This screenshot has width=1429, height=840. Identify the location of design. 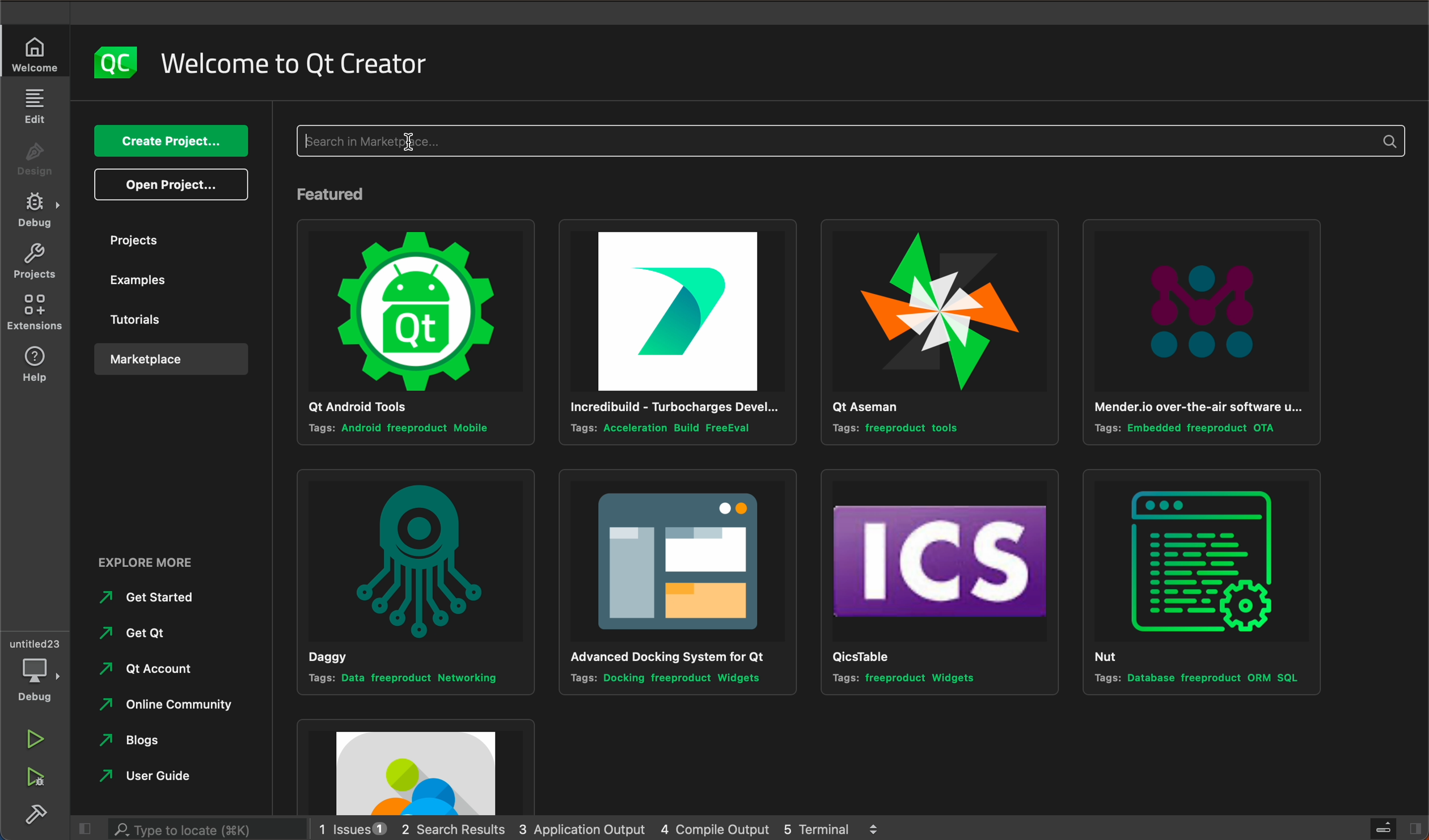
(39, 155).